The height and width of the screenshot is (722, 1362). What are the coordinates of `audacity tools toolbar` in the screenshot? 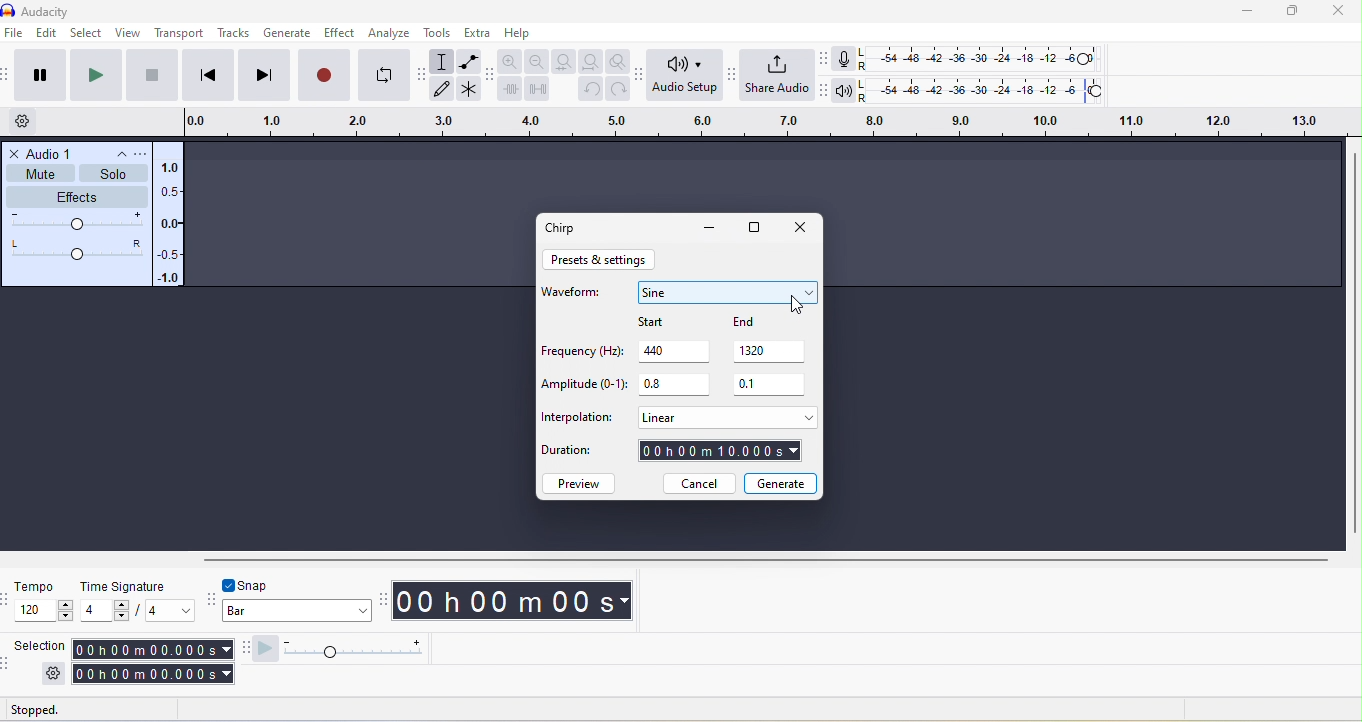 It's located at (424, 81).